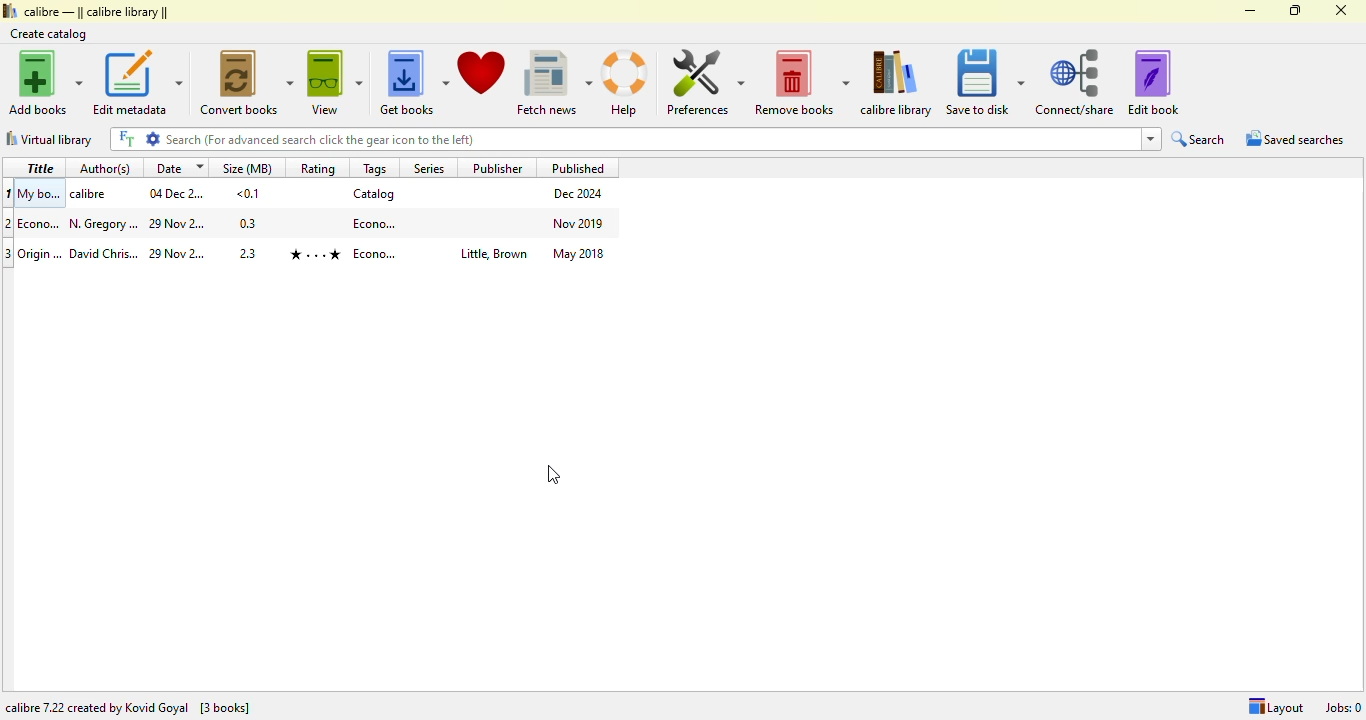 The width and height of the screenshot is (1366, 720). Describe the element at coordinates (49, 34) in the screenshot. I see `create catalog` at that location.